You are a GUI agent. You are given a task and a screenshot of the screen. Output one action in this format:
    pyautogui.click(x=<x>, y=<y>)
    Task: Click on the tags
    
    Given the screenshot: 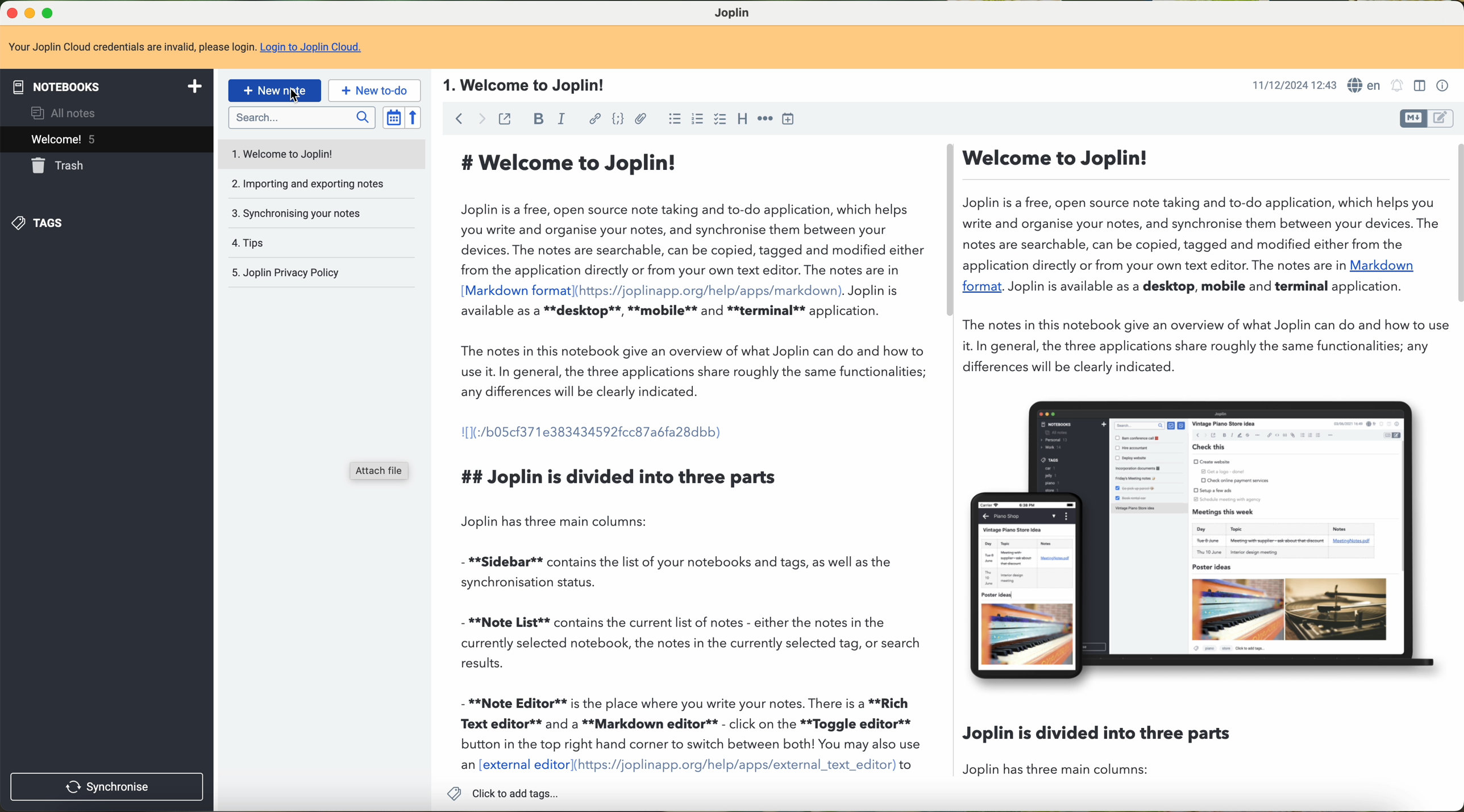 What is the action you would take?
    pyautogui.click(x=39, y=224)
    